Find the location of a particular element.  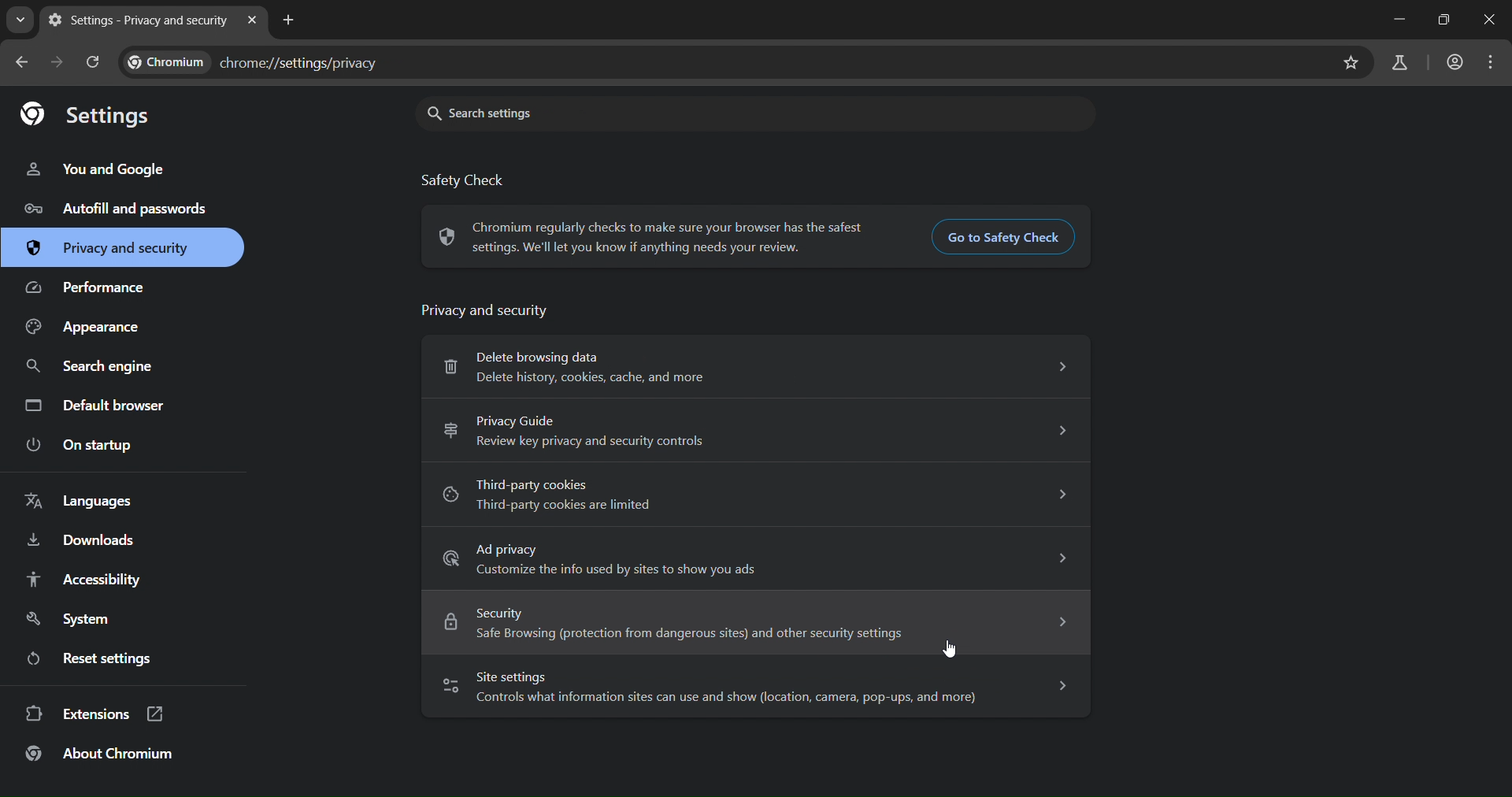

menu is located at coordinates (1490, 65).